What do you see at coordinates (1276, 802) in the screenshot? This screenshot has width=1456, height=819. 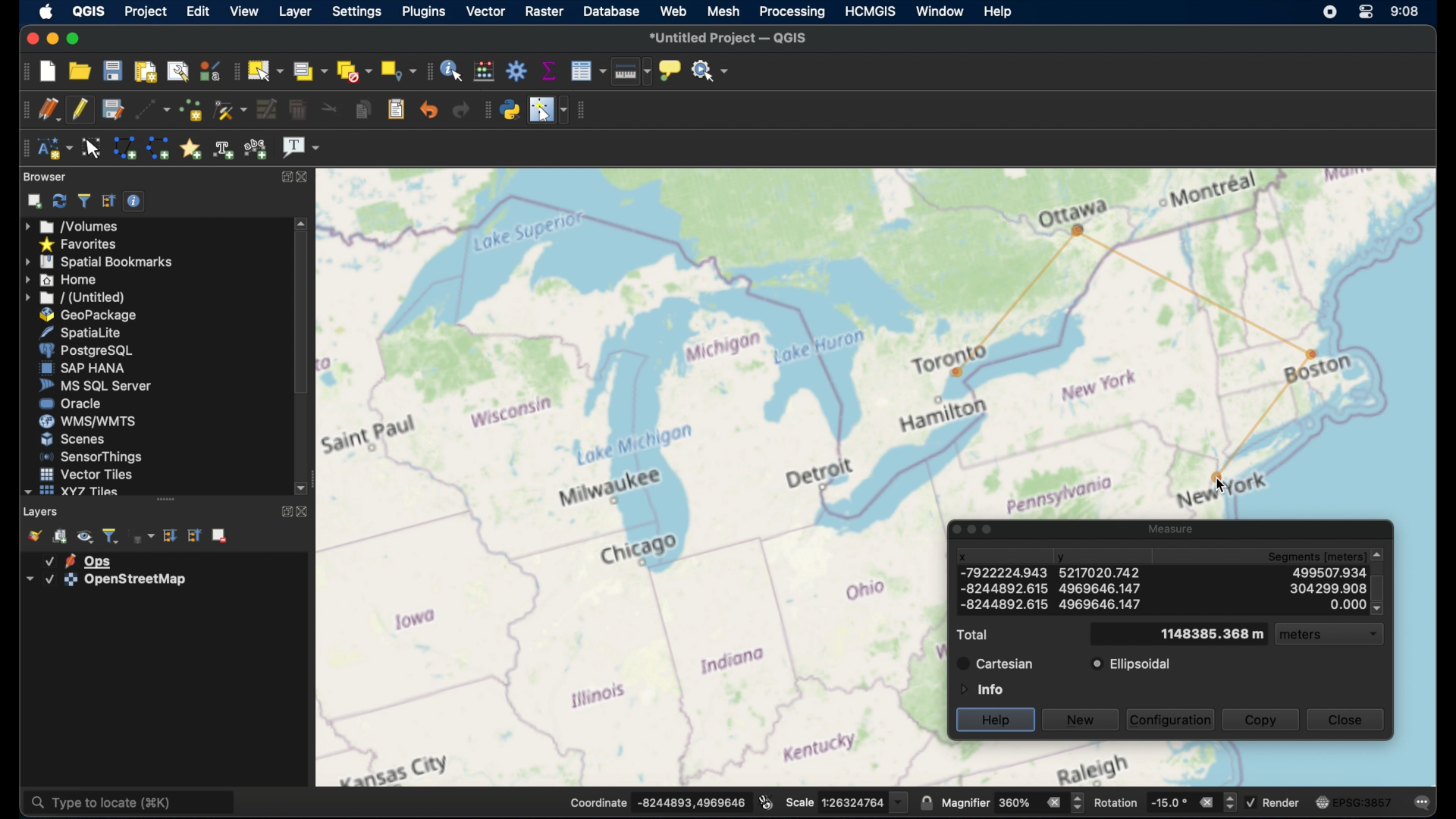 I see `render` at bounding box center [1276, 802].